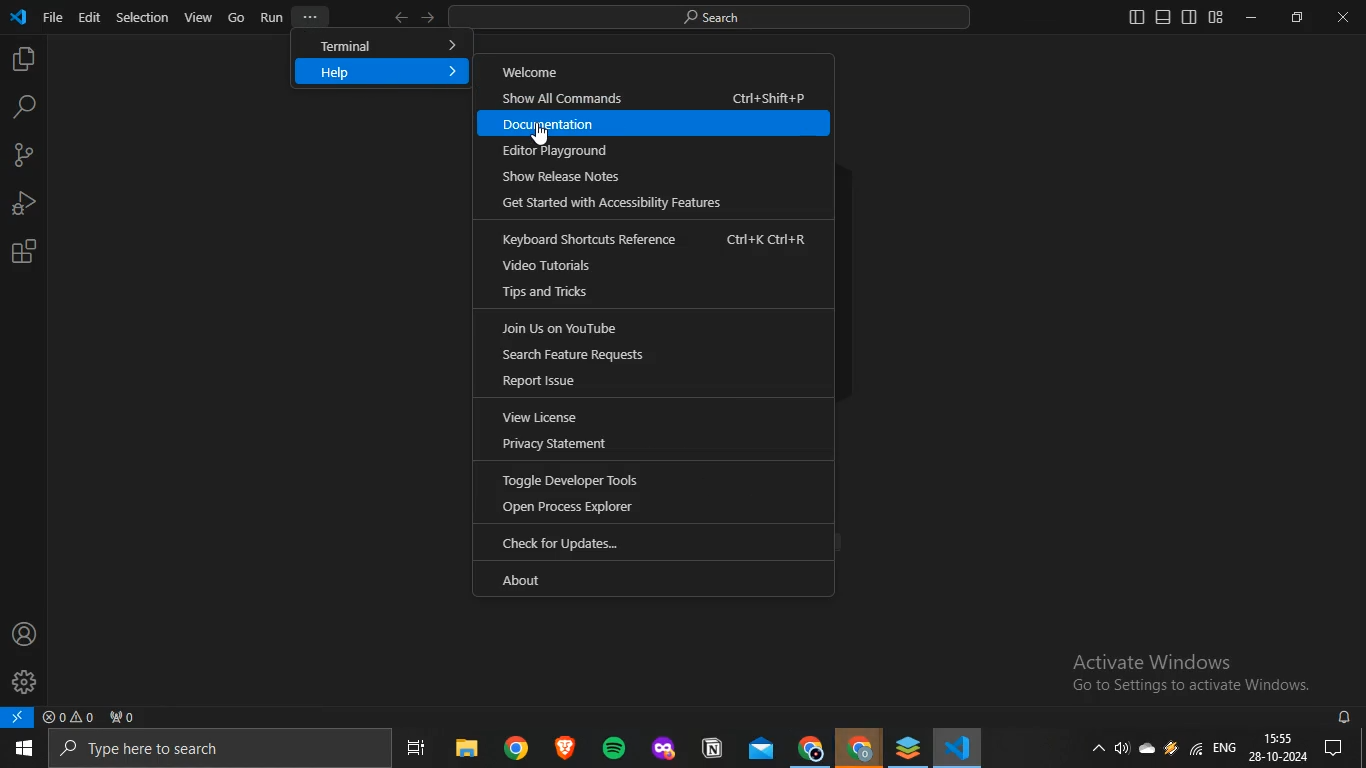 Image resolution: width=1366 pixels, height=768 pixels. What do you see at coordinates (659, 150) in the screenshot?
I see `Editor Playground` at bounding box center [659, 150].